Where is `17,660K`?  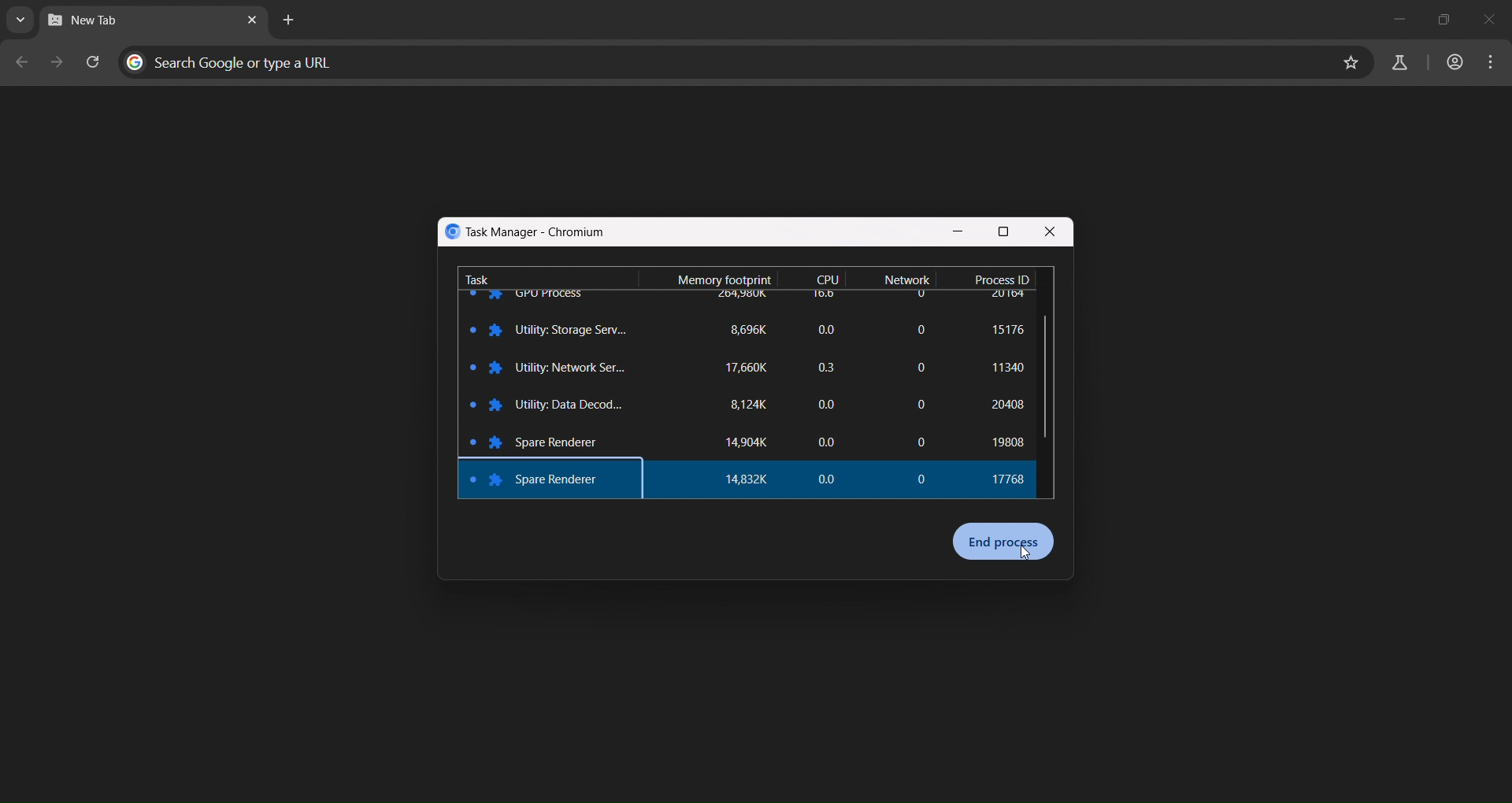
17,660K is located at coordinates (746, 369).